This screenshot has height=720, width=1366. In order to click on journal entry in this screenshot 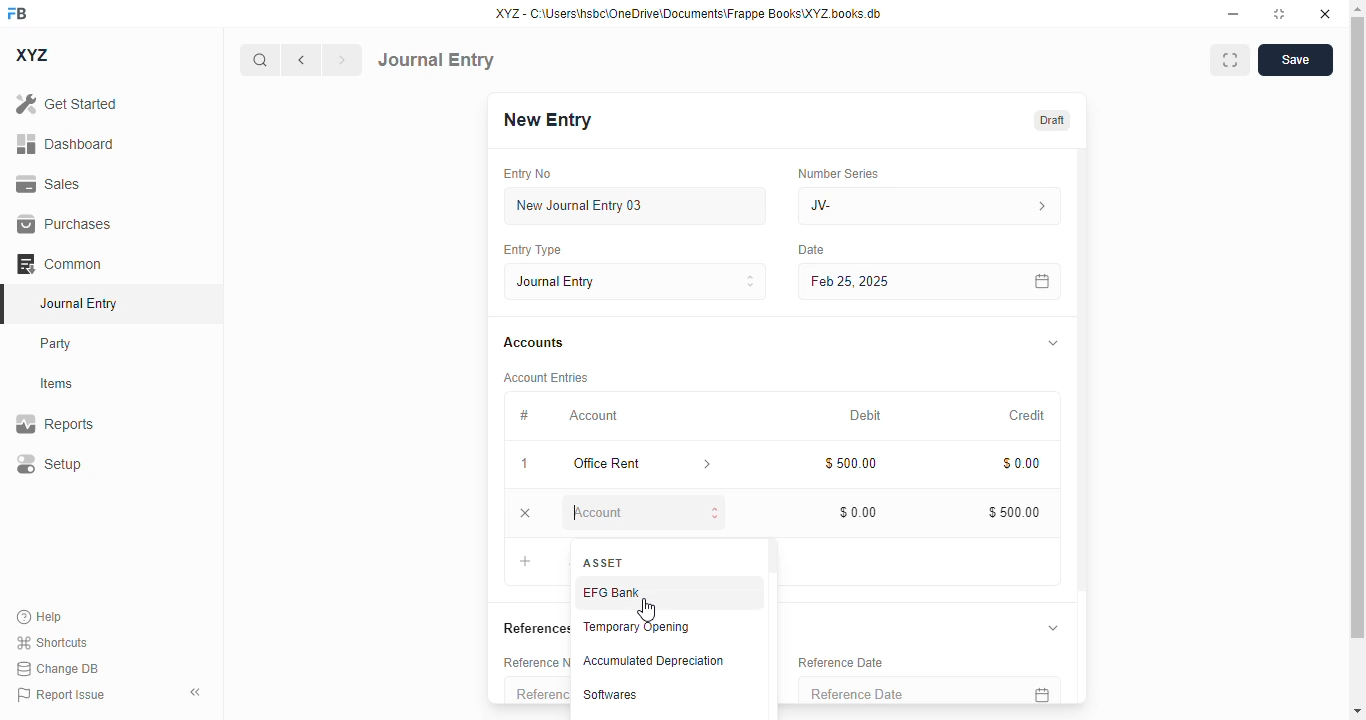, I will do `click(77, 303)`.